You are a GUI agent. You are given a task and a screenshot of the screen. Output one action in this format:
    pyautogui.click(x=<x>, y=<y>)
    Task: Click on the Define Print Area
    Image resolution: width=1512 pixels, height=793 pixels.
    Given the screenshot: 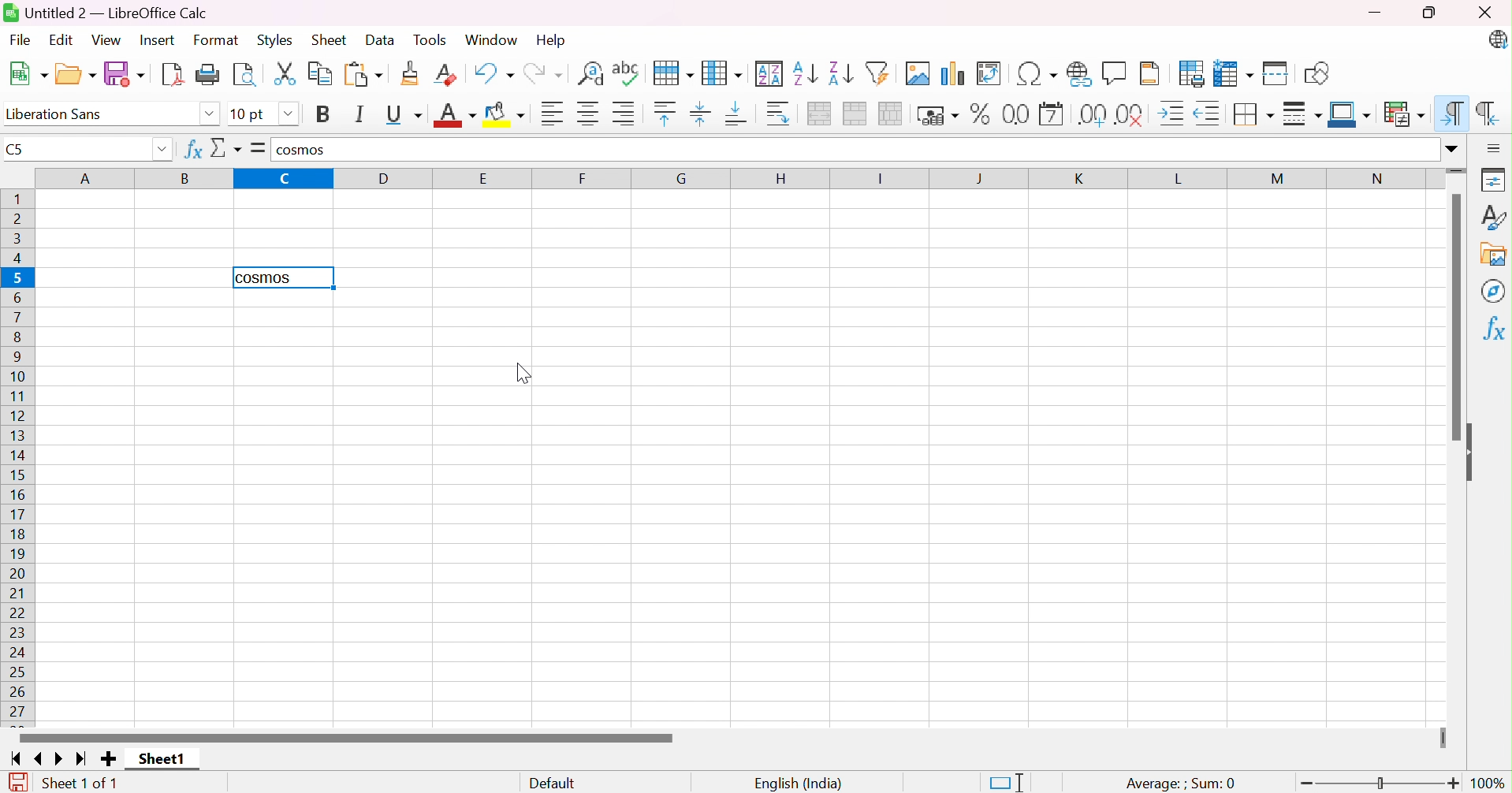 What is the action you would take?
    pyautogui.click(x=1190, y=73)
    